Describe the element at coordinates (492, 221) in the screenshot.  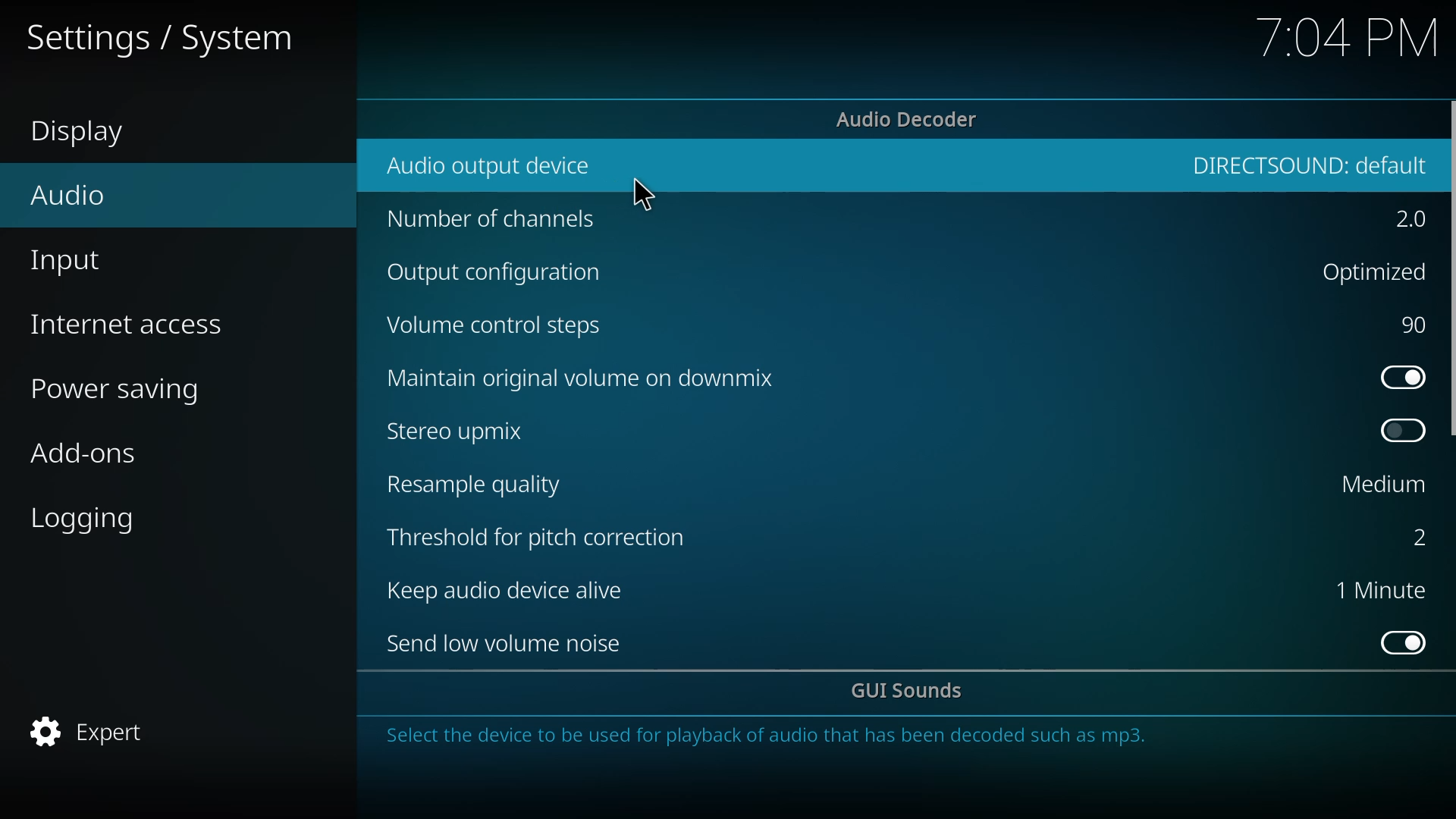
I see `number of channels` at that location.